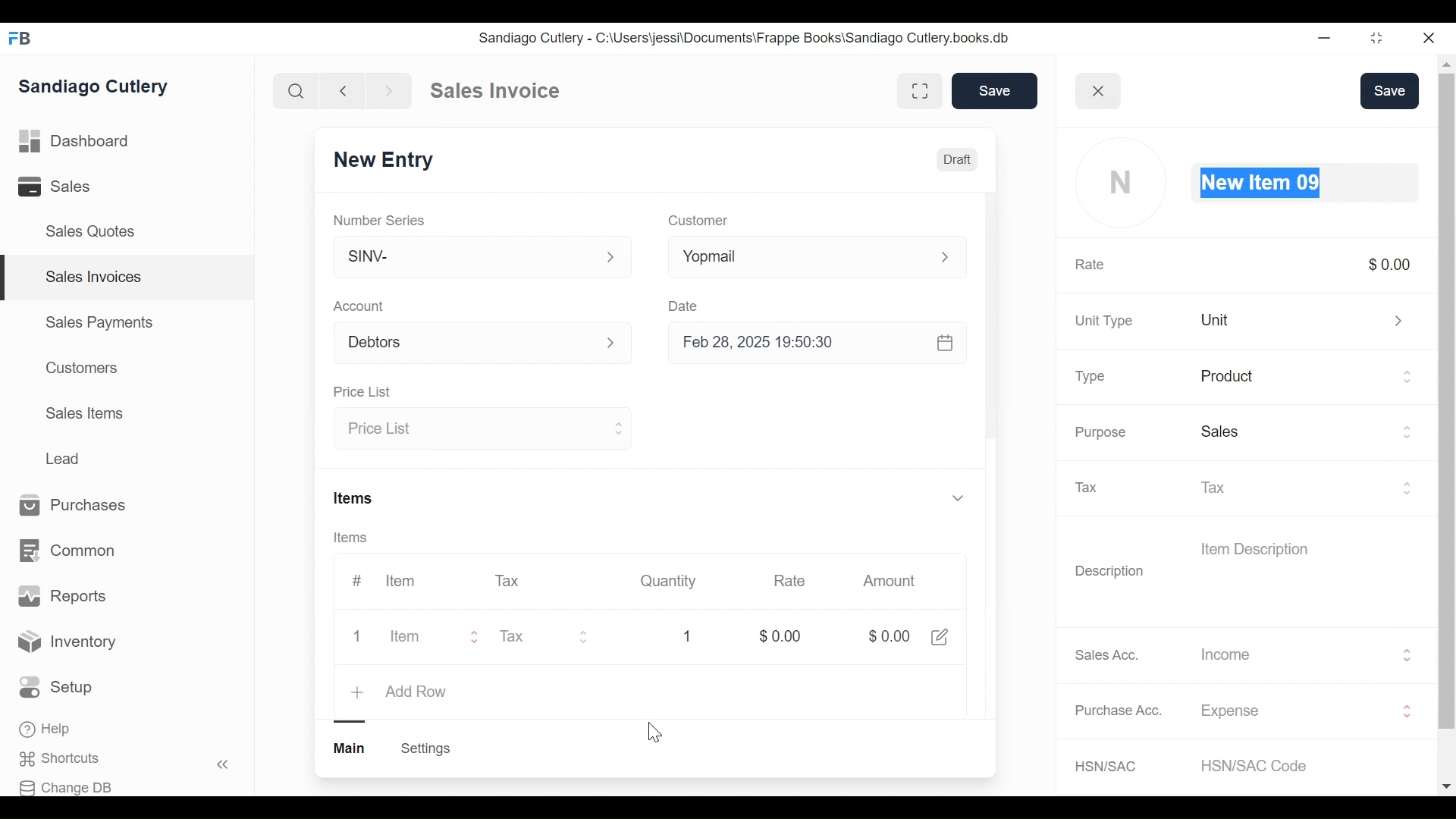 This screenshot has height=819, width=1456. What do you see at coordinates (483, 257) in the screenshot?
I see `SINV-` at bounding box center [483, 257].